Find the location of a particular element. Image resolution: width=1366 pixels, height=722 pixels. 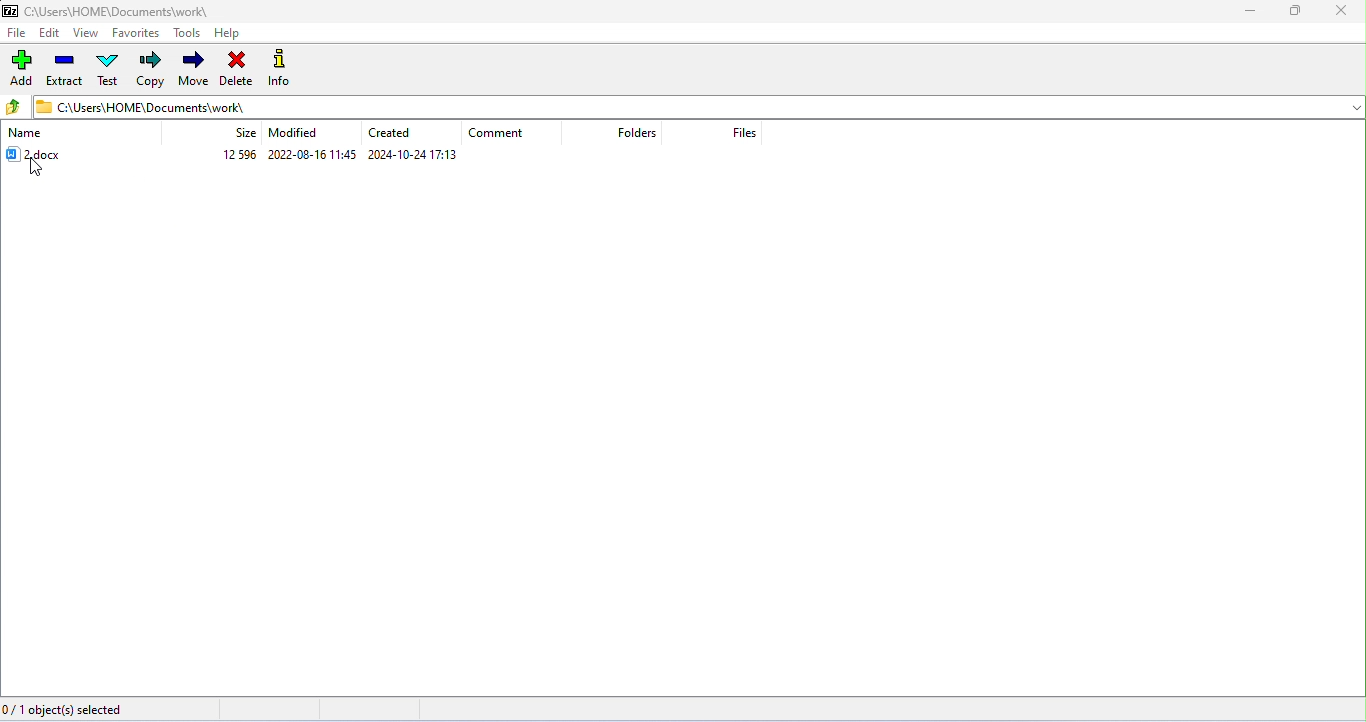

file is located at coordinates (18, 32).